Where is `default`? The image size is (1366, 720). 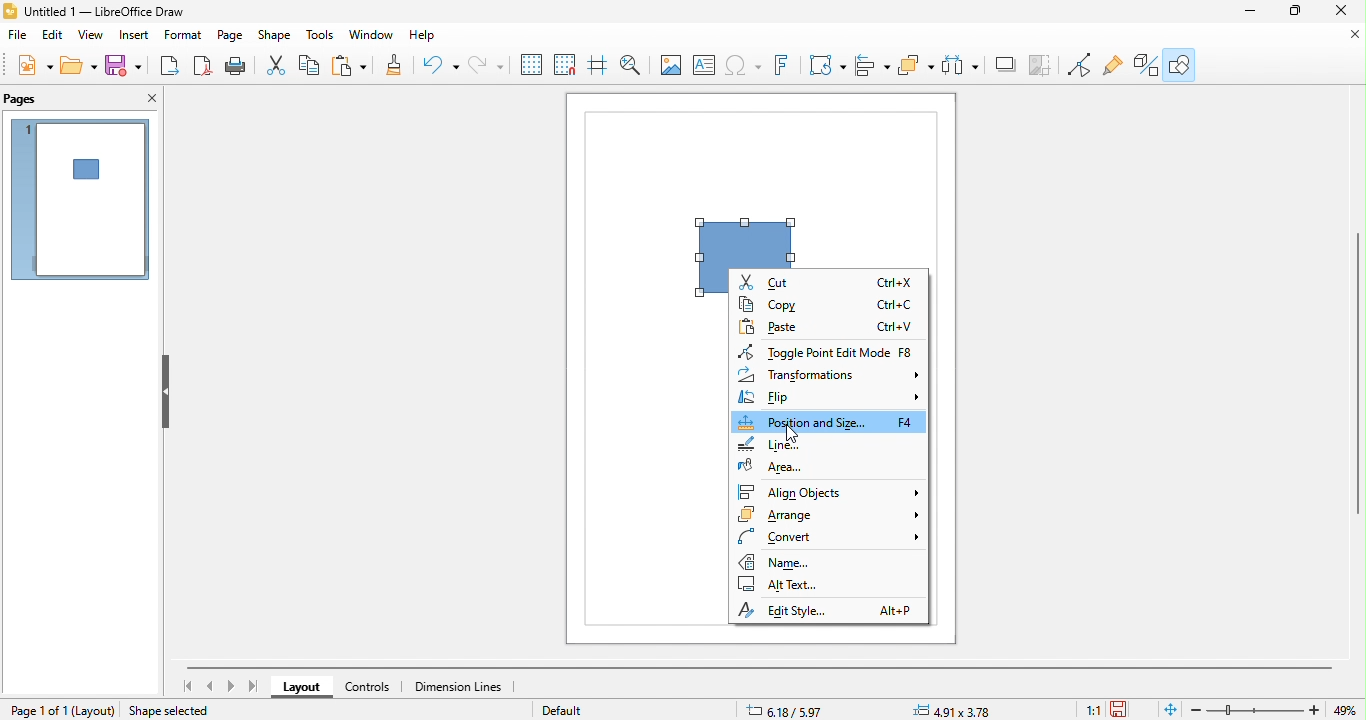 default is located at coordinates (575, 709).